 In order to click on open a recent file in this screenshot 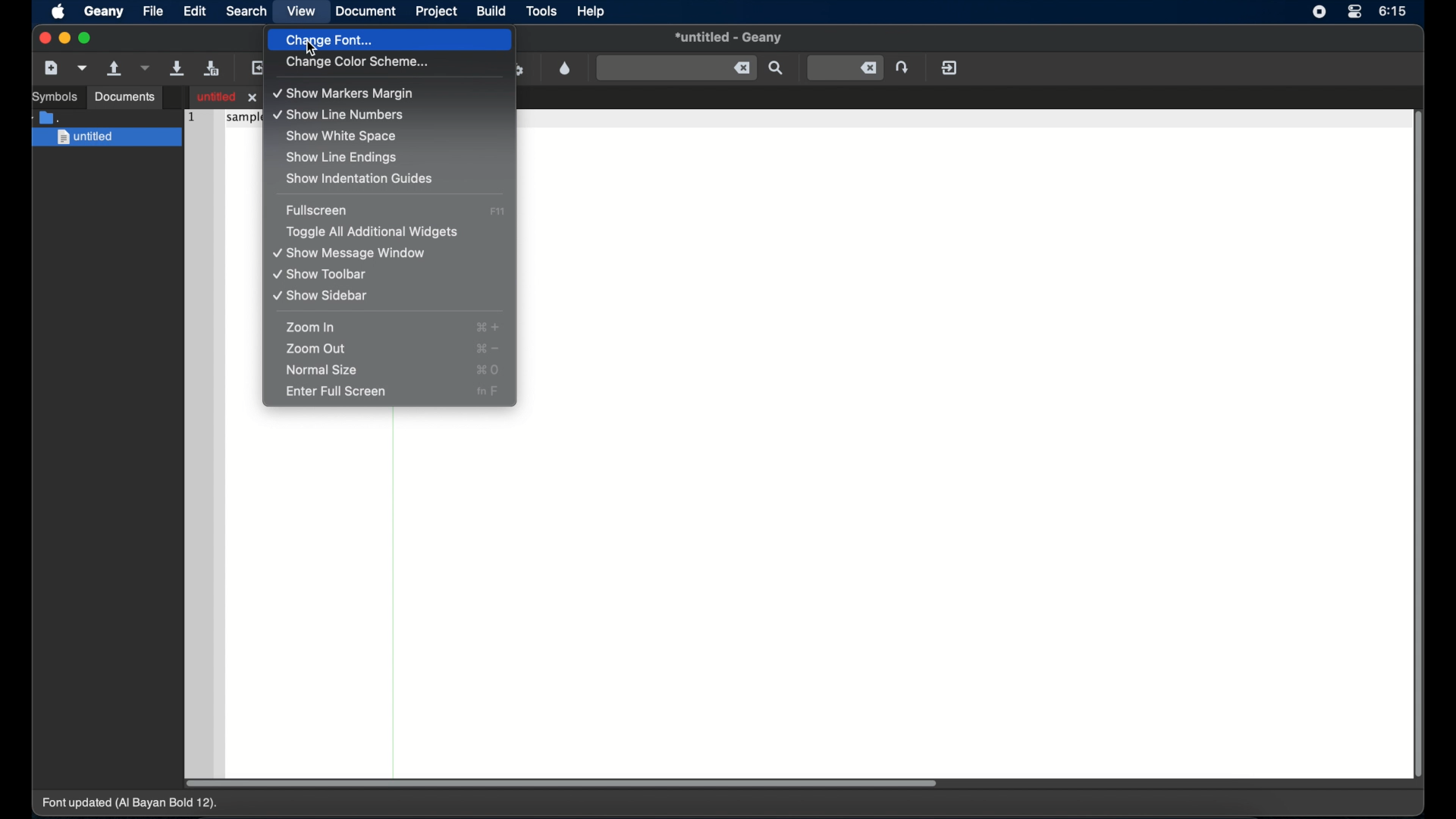, I will do `click(146, 67)`.